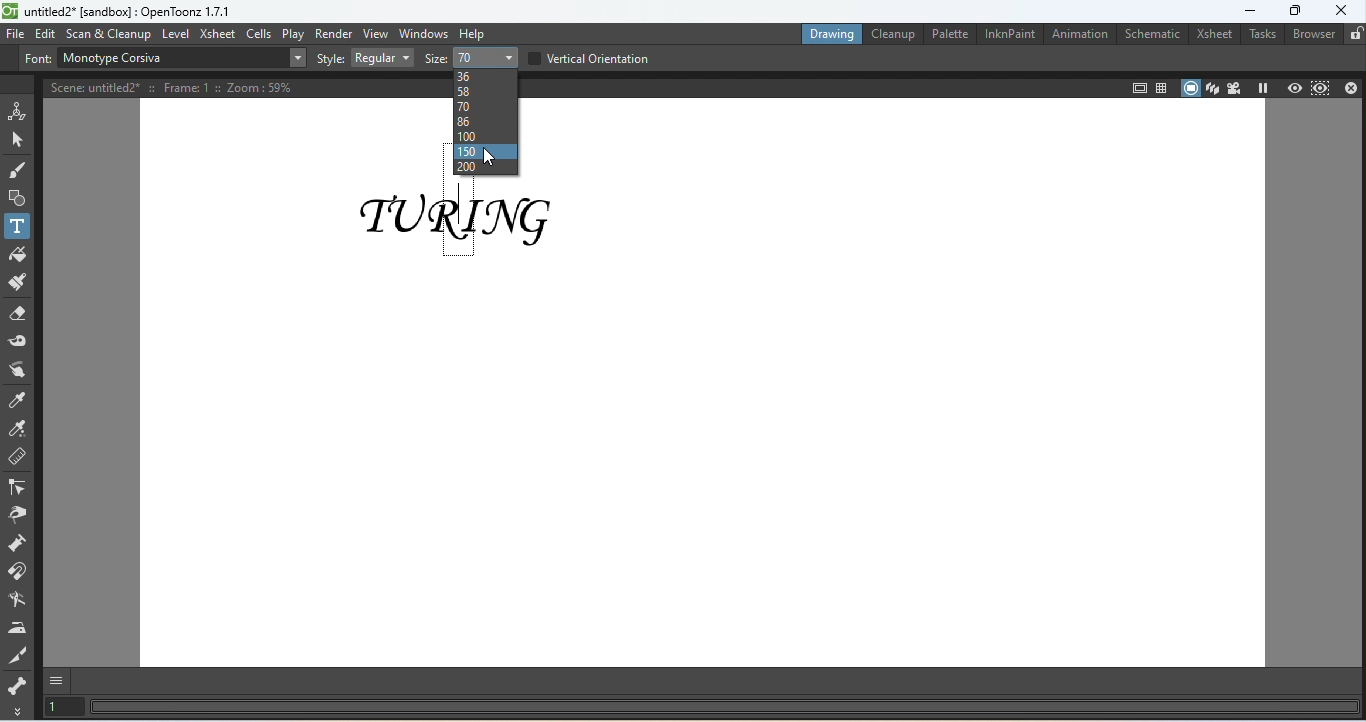 This screenshot has width=1366, height=722. What do you see at coordinates (484, 107) in the screenshot?
I see `70` at bounding box center [484, 107].